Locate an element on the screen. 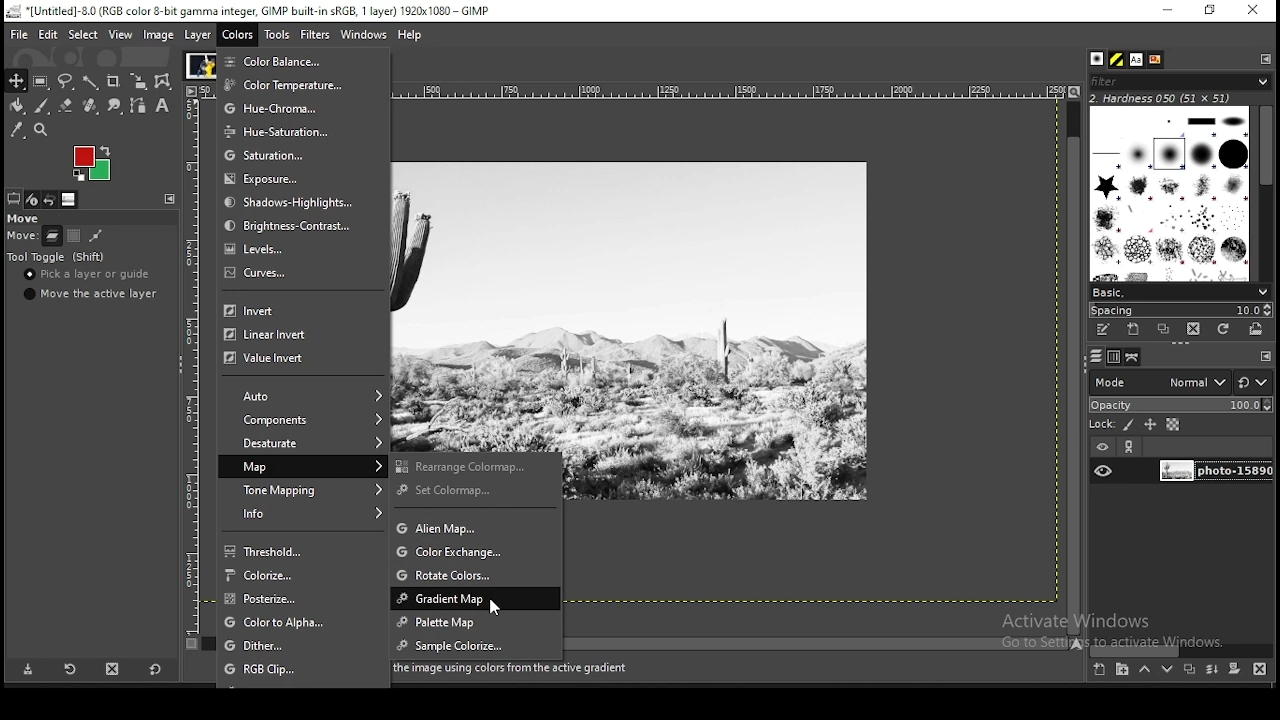  info is located at coordinates (305, 514).